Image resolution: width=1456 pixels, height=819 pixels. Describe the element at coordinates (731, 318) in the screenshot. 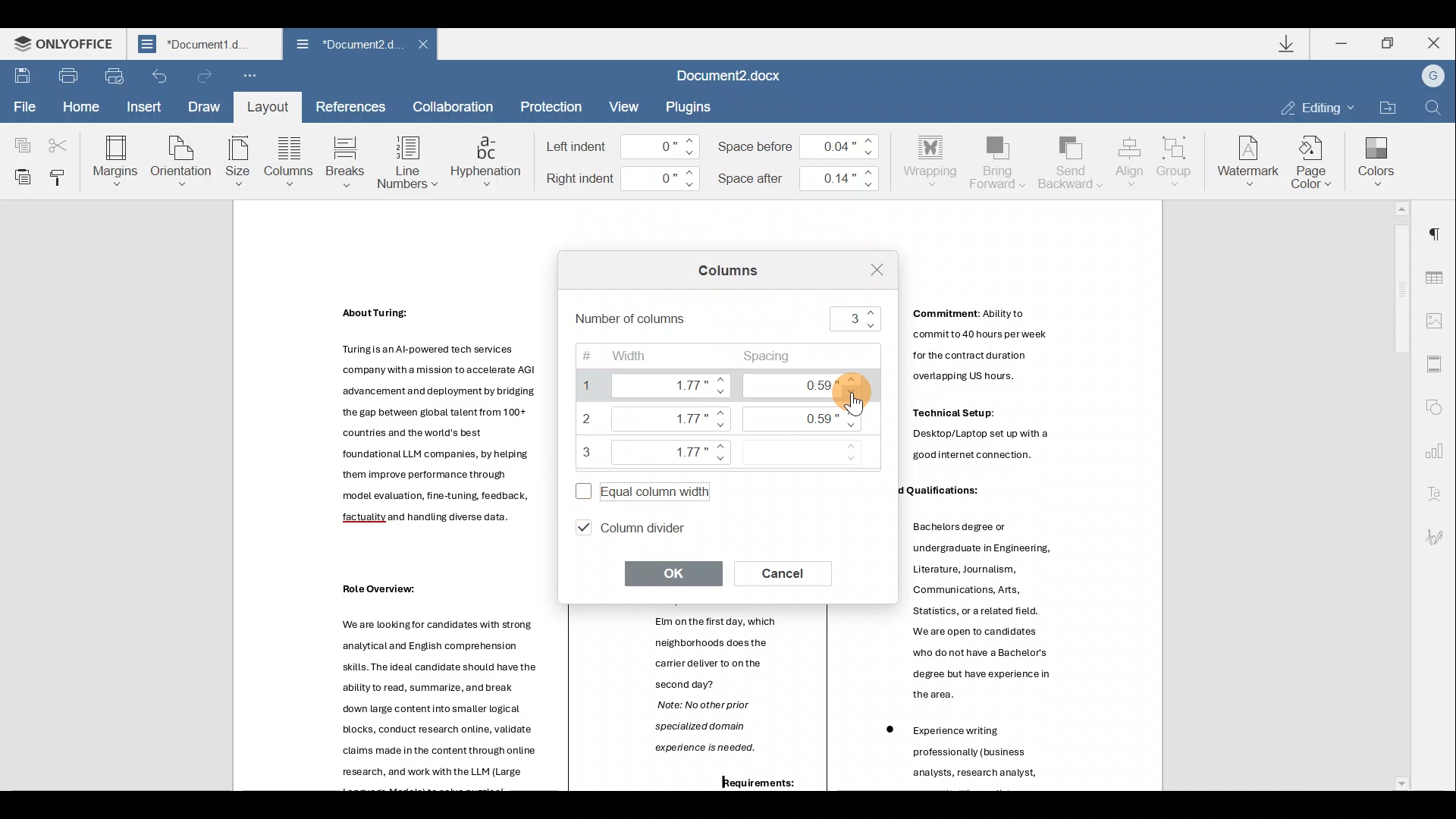

I see `Number of columns` at that location.